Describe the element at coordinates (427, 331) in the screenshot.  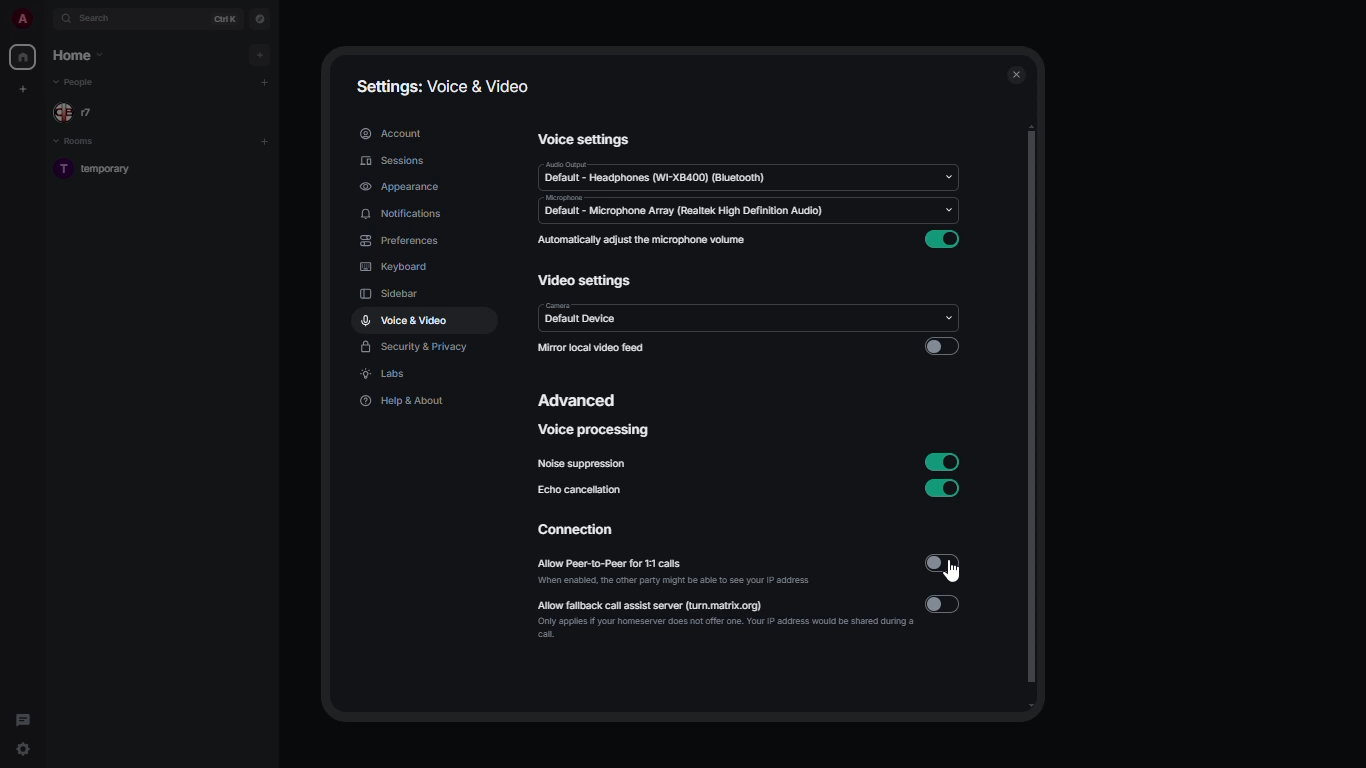
I see `cursor` at that location.